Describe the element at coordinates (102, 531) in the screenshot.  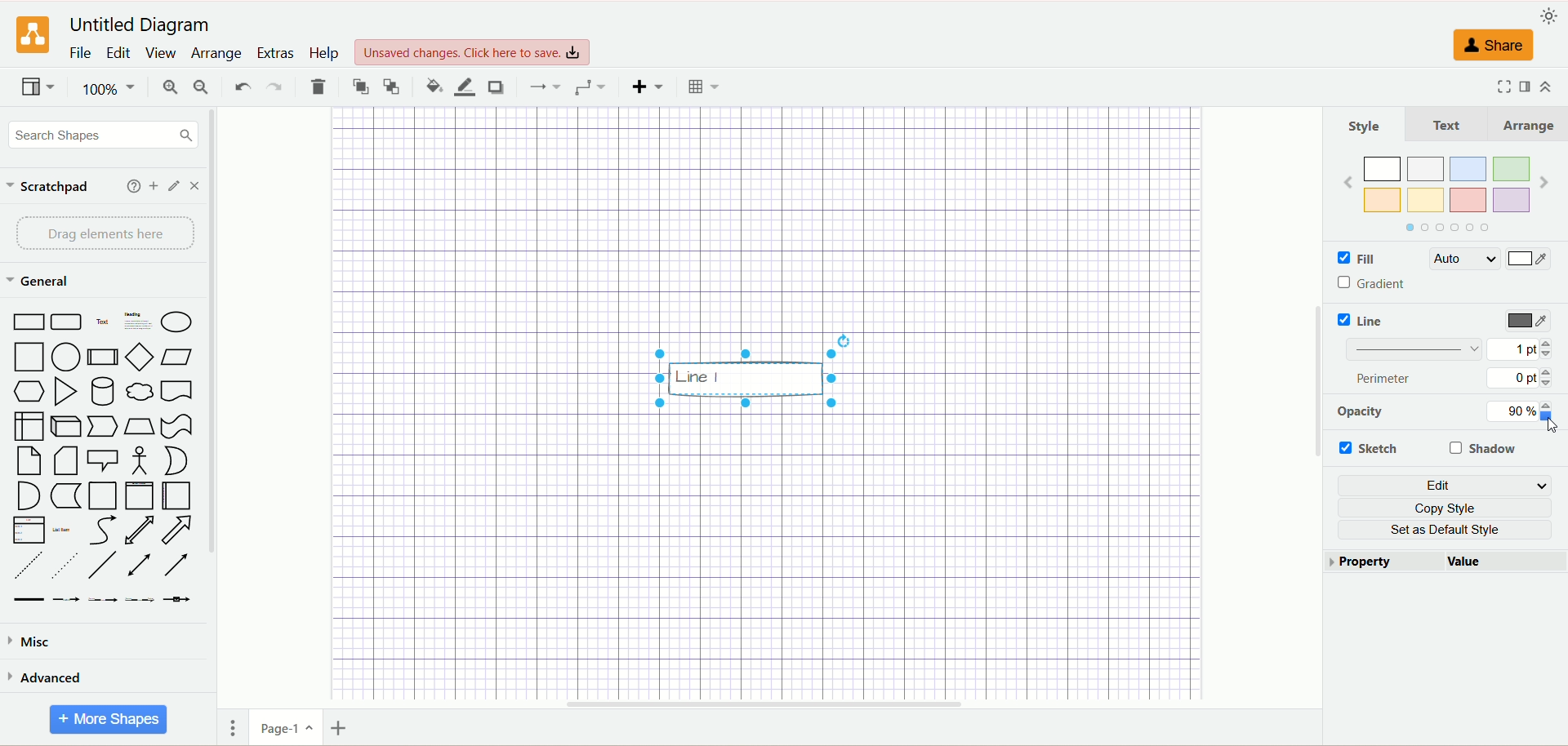
I see `Curve` at that location.